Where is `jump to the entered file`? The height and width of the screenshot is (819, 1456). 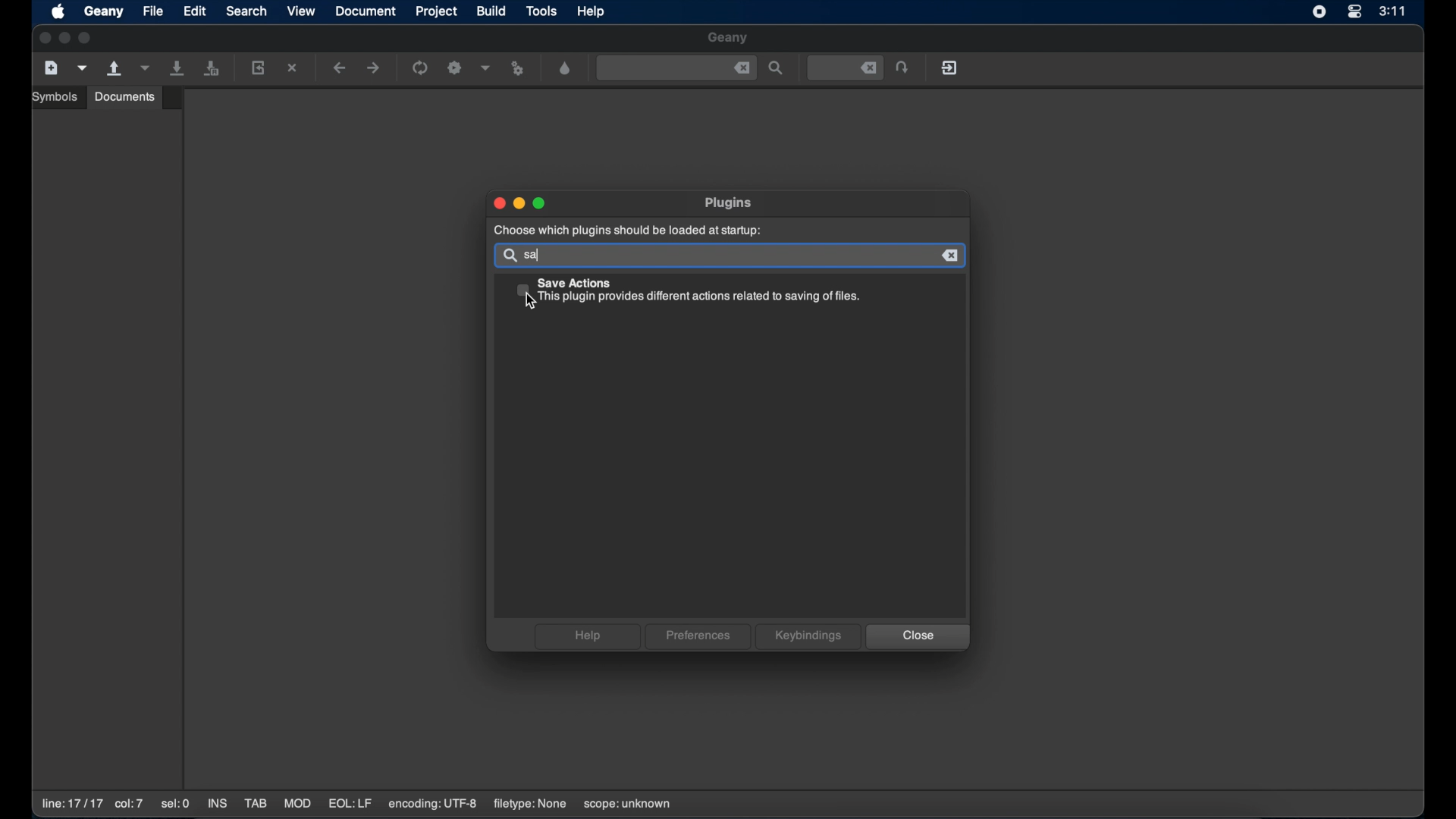
jump to the entered file is located at coordinates (846, 68).